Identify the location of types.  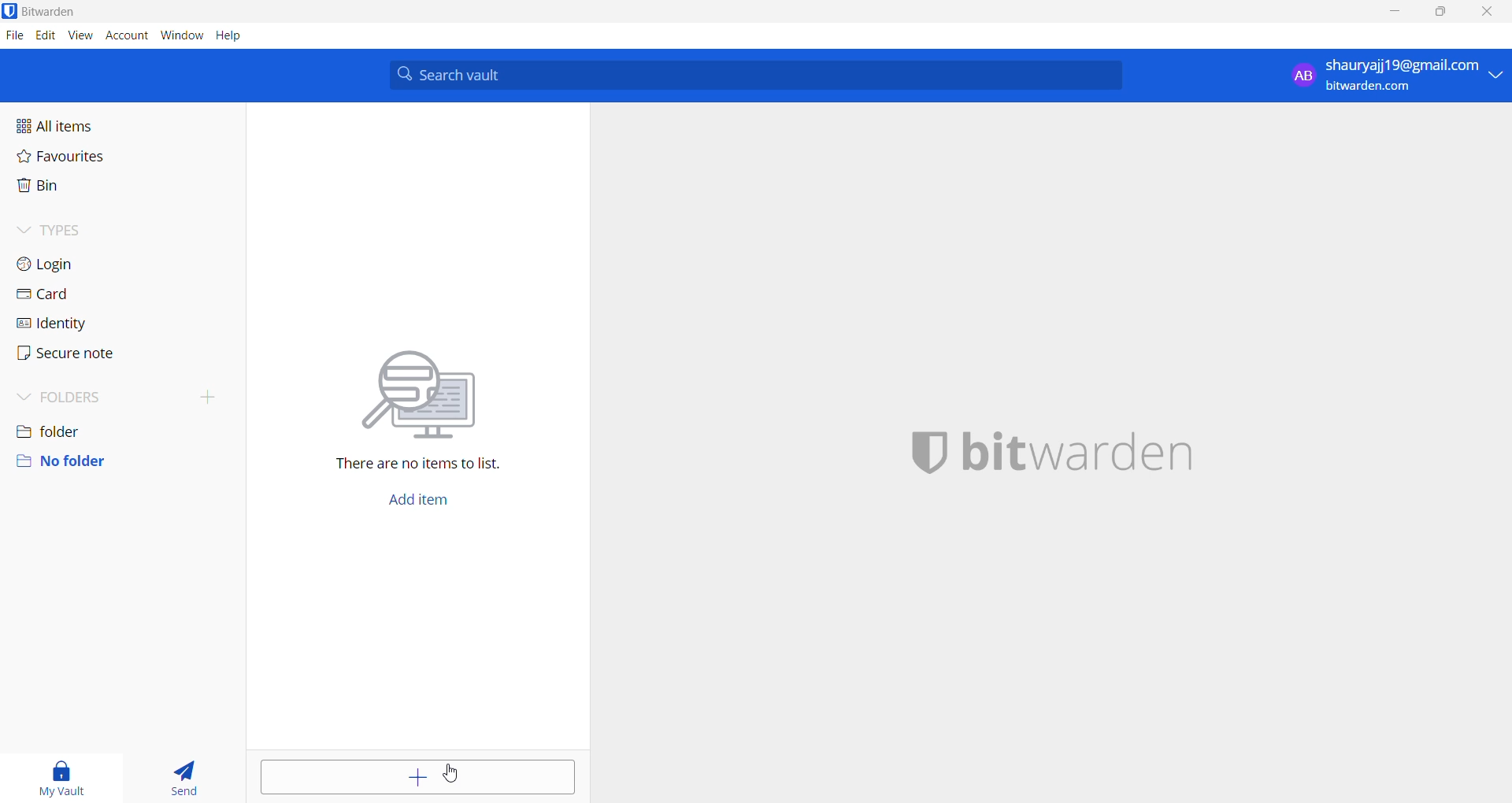
(87, 231).